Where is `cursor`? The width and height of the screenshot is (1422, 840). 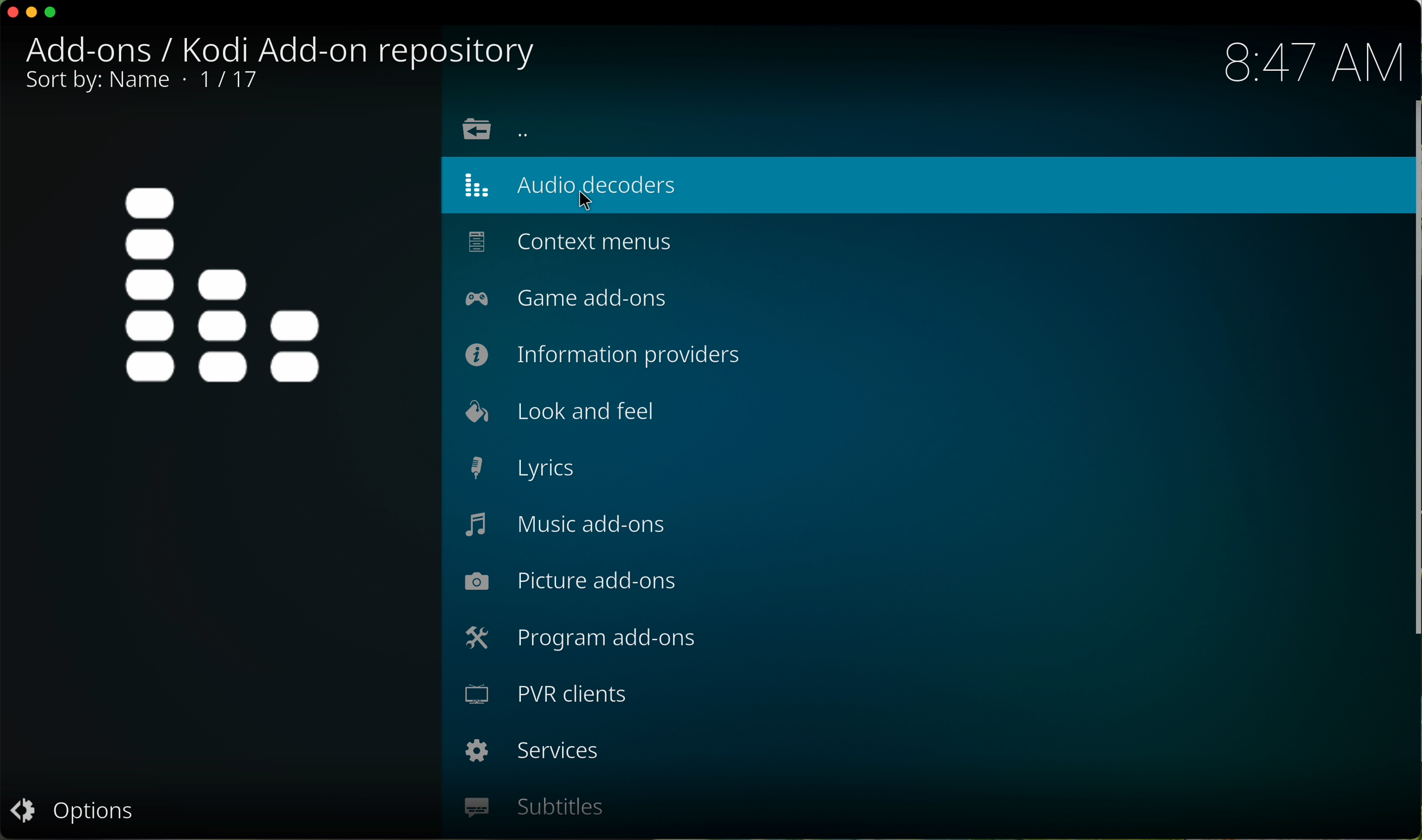
cursor is located at coordinates (594, 202).